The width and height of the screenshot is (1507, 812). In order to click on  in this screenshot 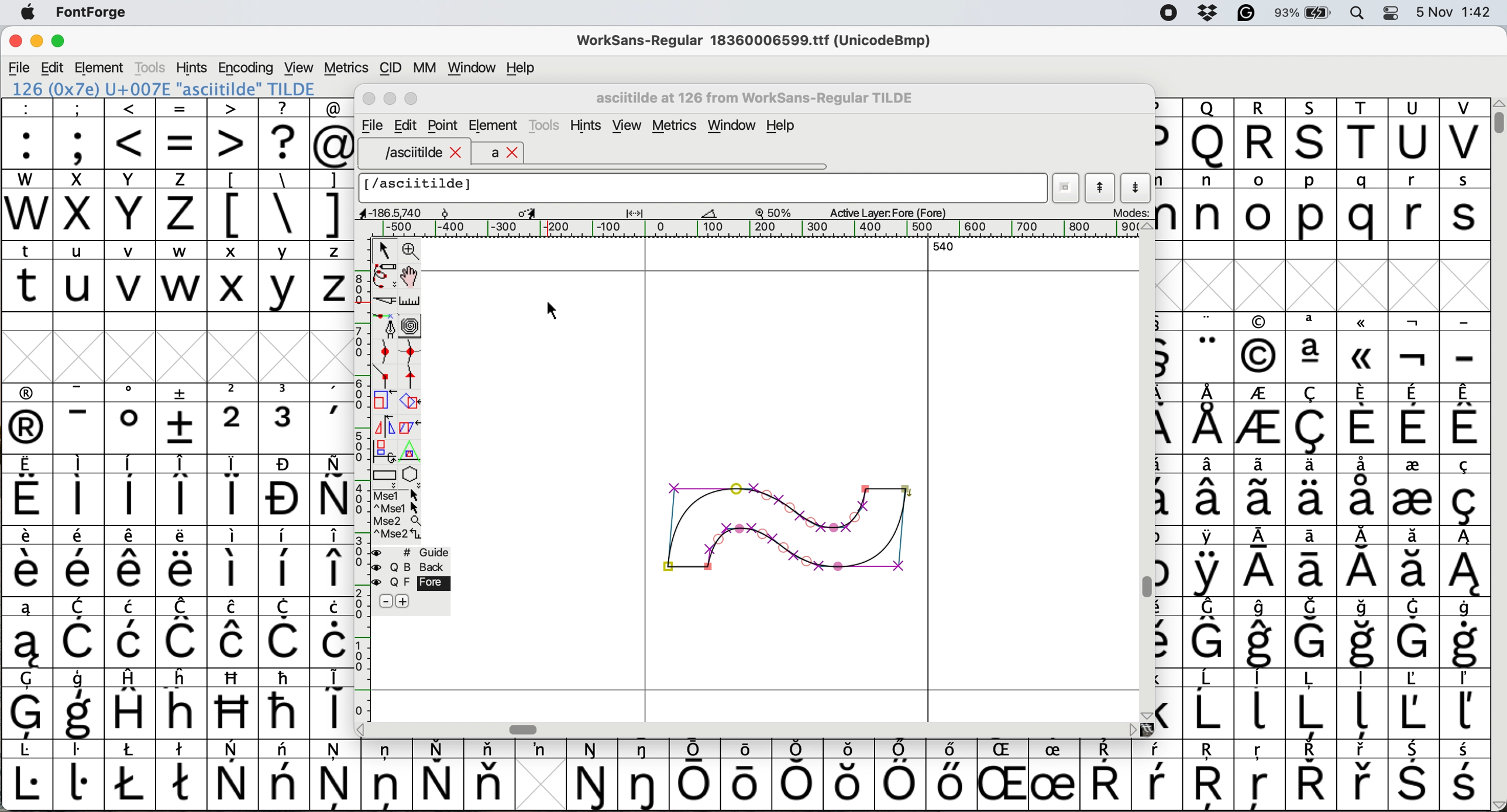, I will do `click(1313, 133)`.